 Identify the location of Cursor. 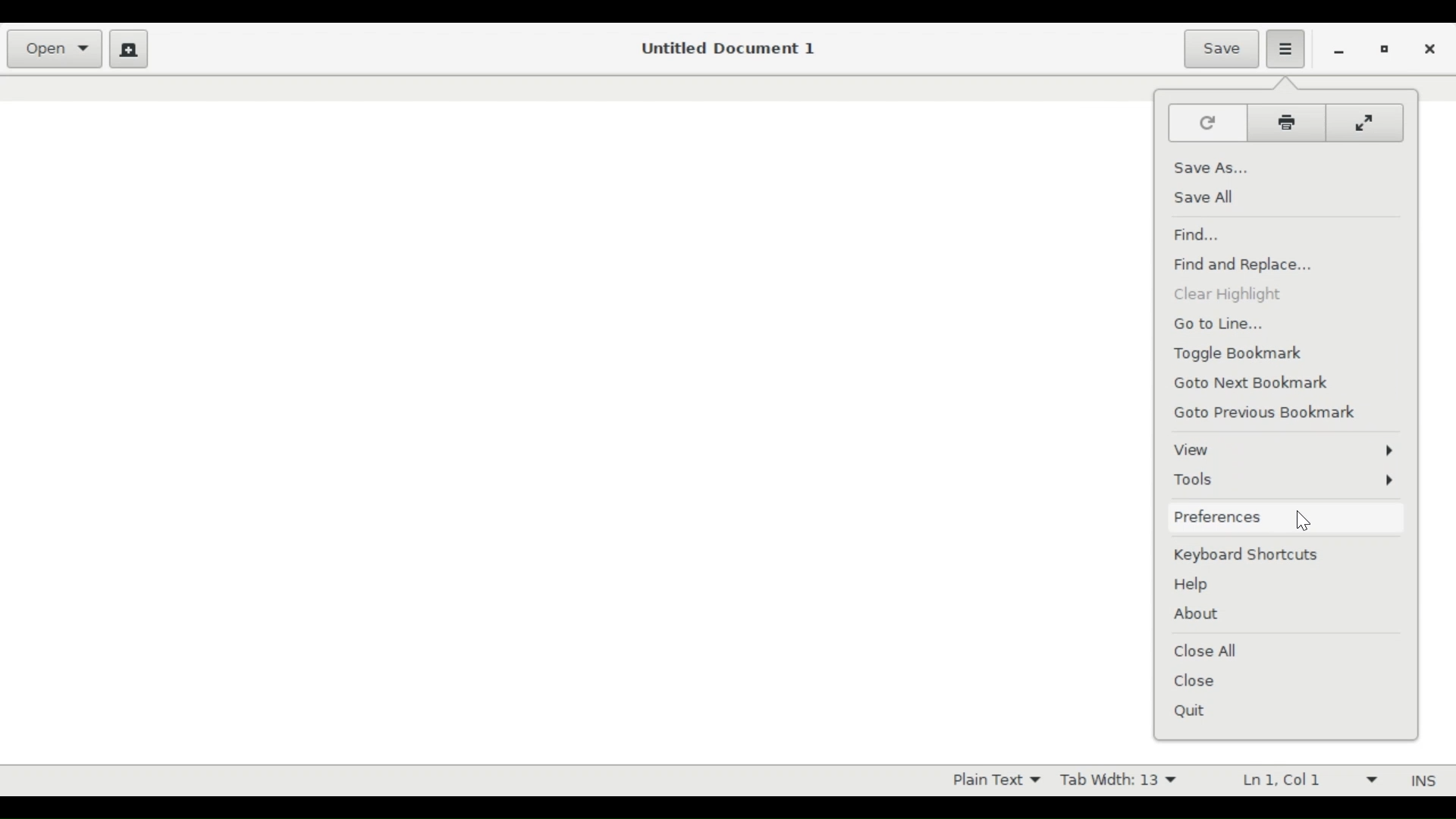
(1303, 521).